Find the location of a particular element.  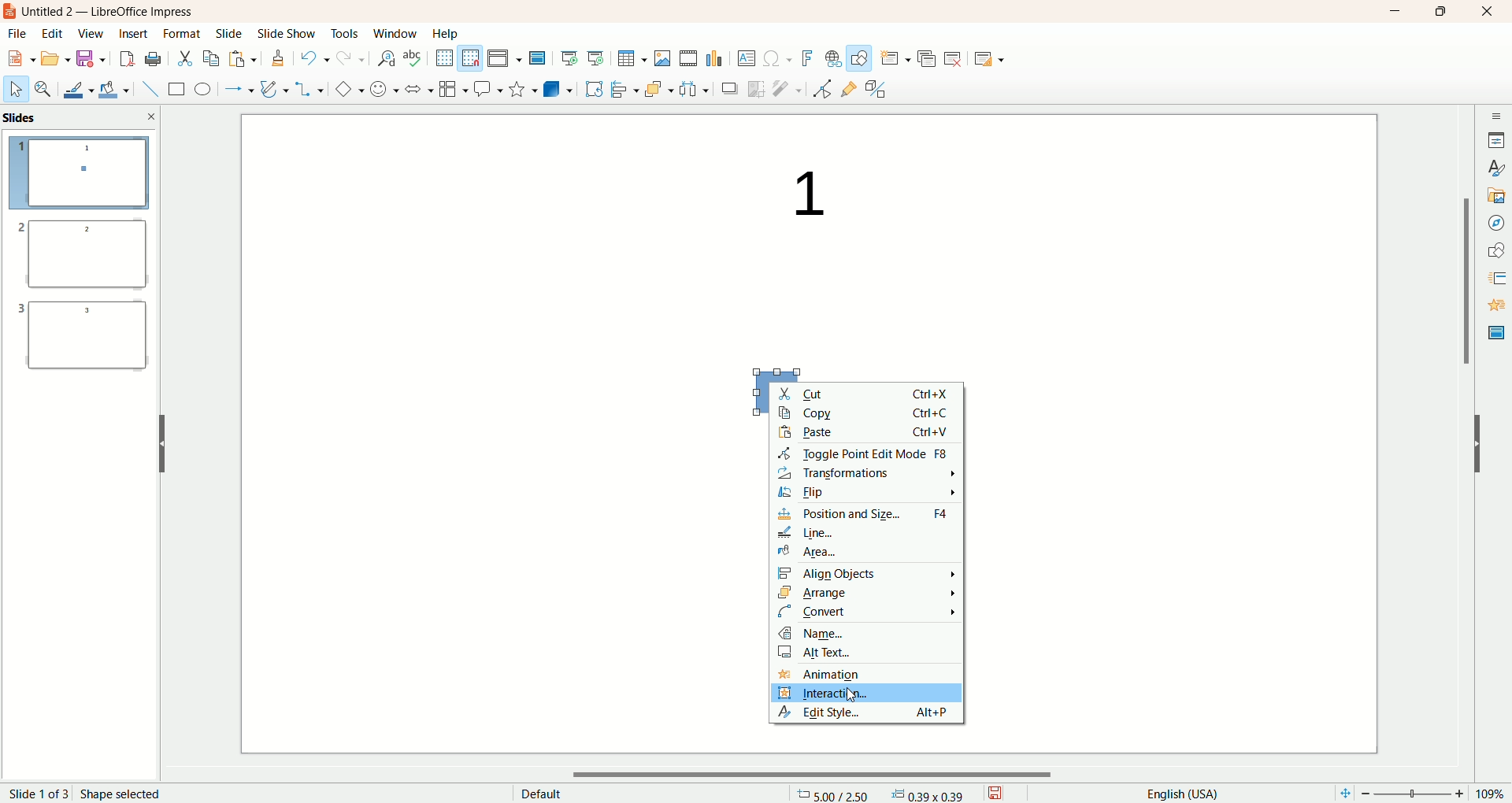

anchor point is located at coordinates (935, 794).